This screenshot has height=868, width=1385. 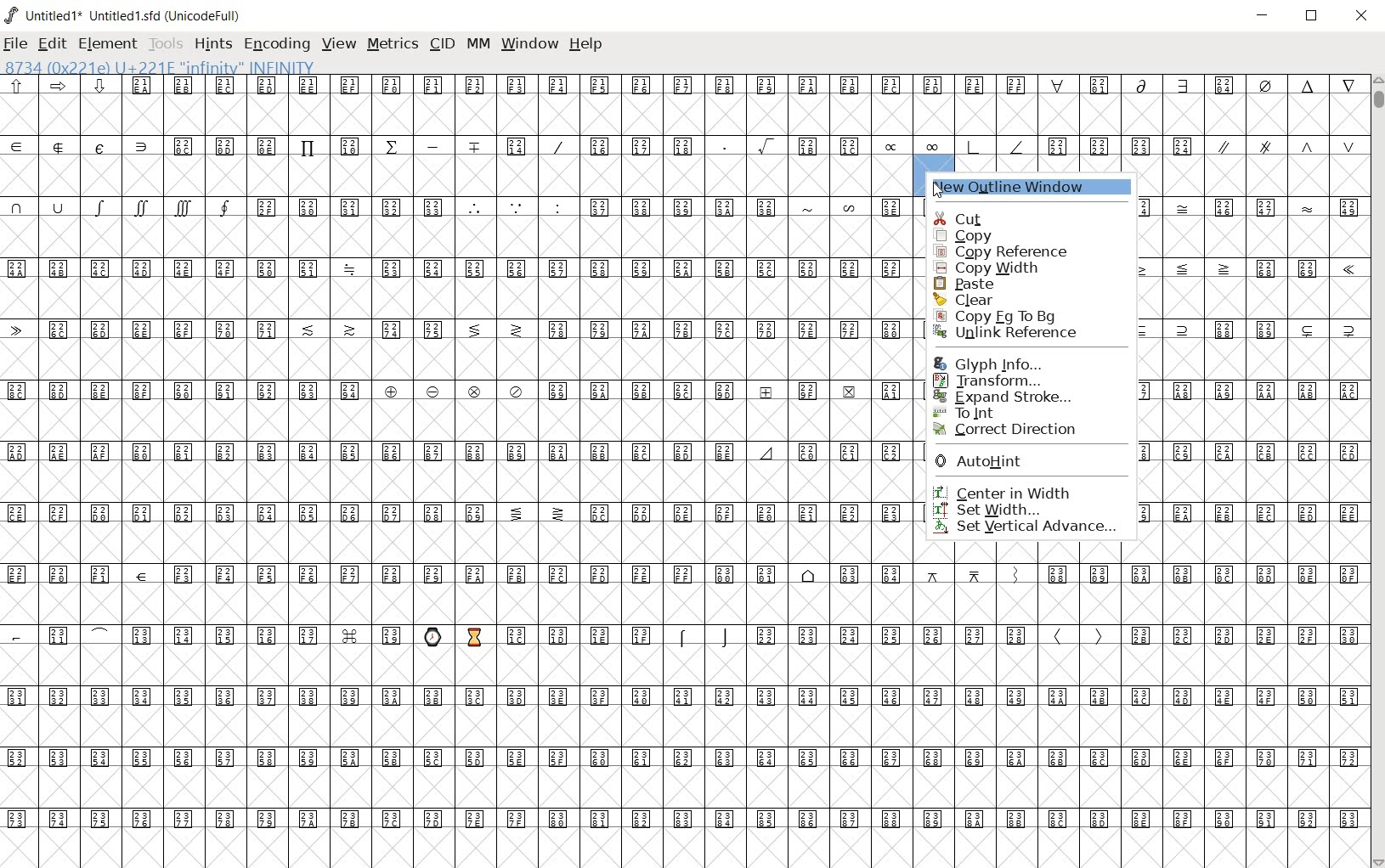 I want to click on empty glyph slots, so click(x=1254, y=421).